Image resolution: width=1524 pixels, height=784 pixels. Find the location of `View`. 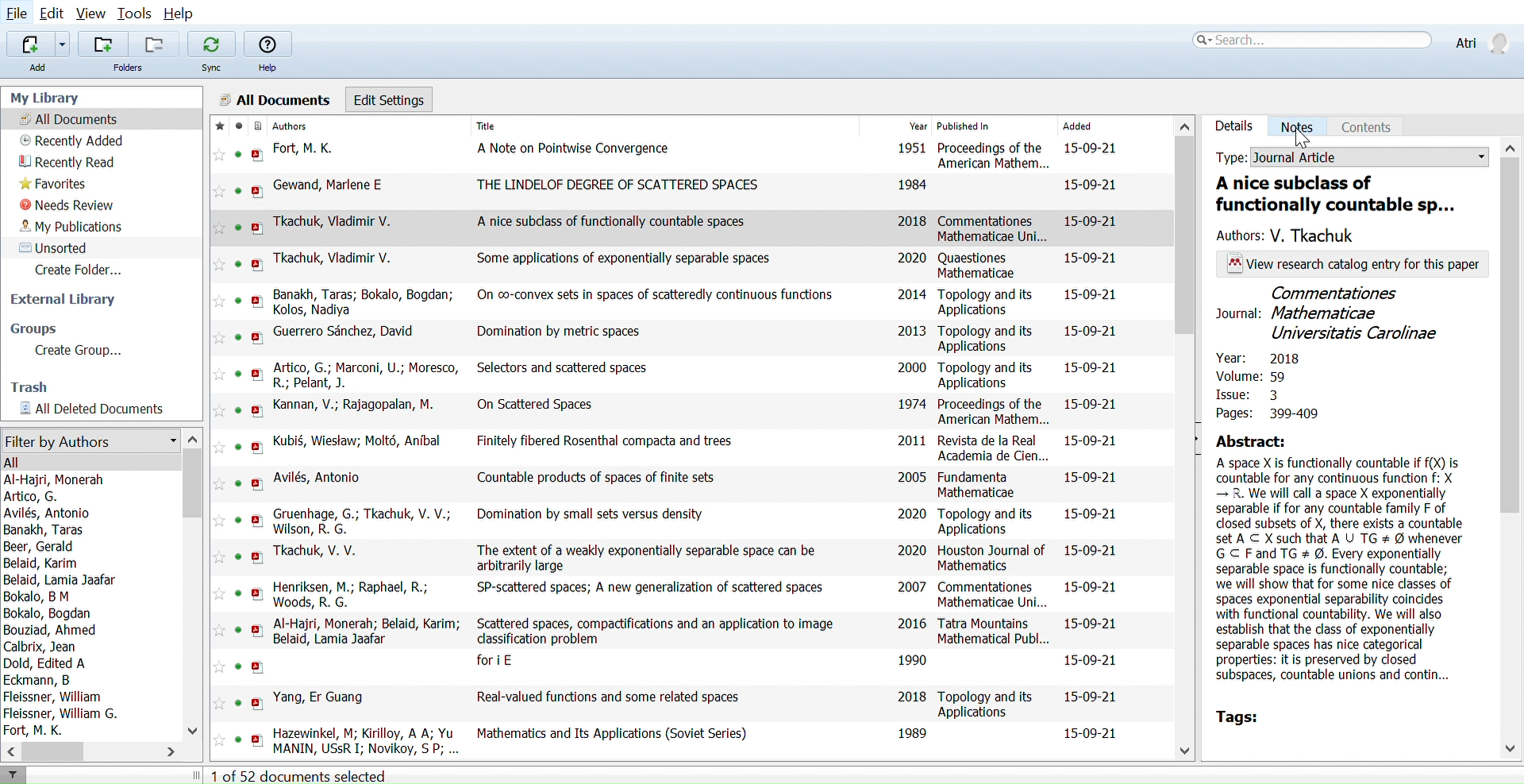

View is located at coordinates (93, 14).